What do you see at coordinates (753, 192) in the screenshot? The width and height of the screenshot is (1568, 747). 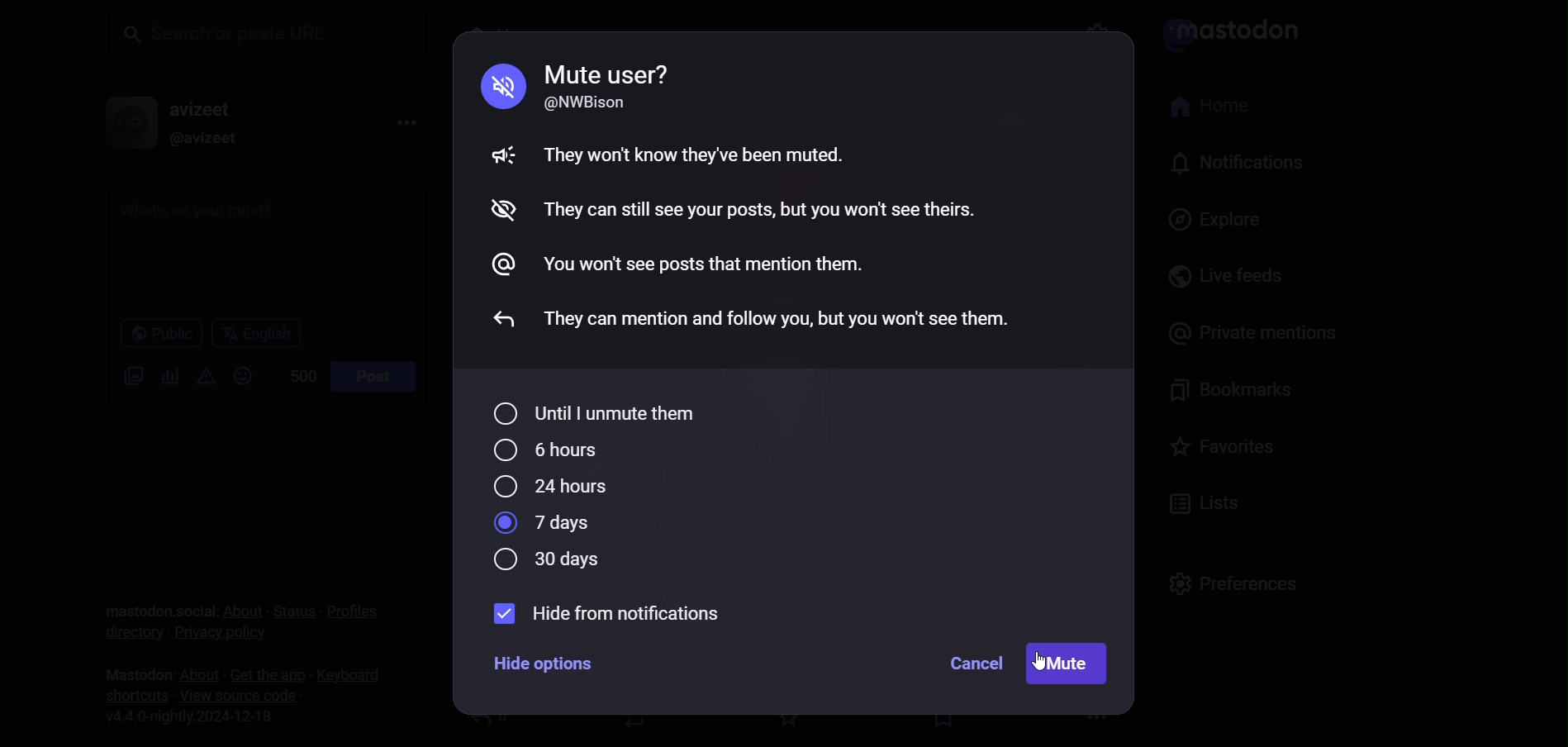 I see `Mute guidelines` at bounding box center [753, 192].